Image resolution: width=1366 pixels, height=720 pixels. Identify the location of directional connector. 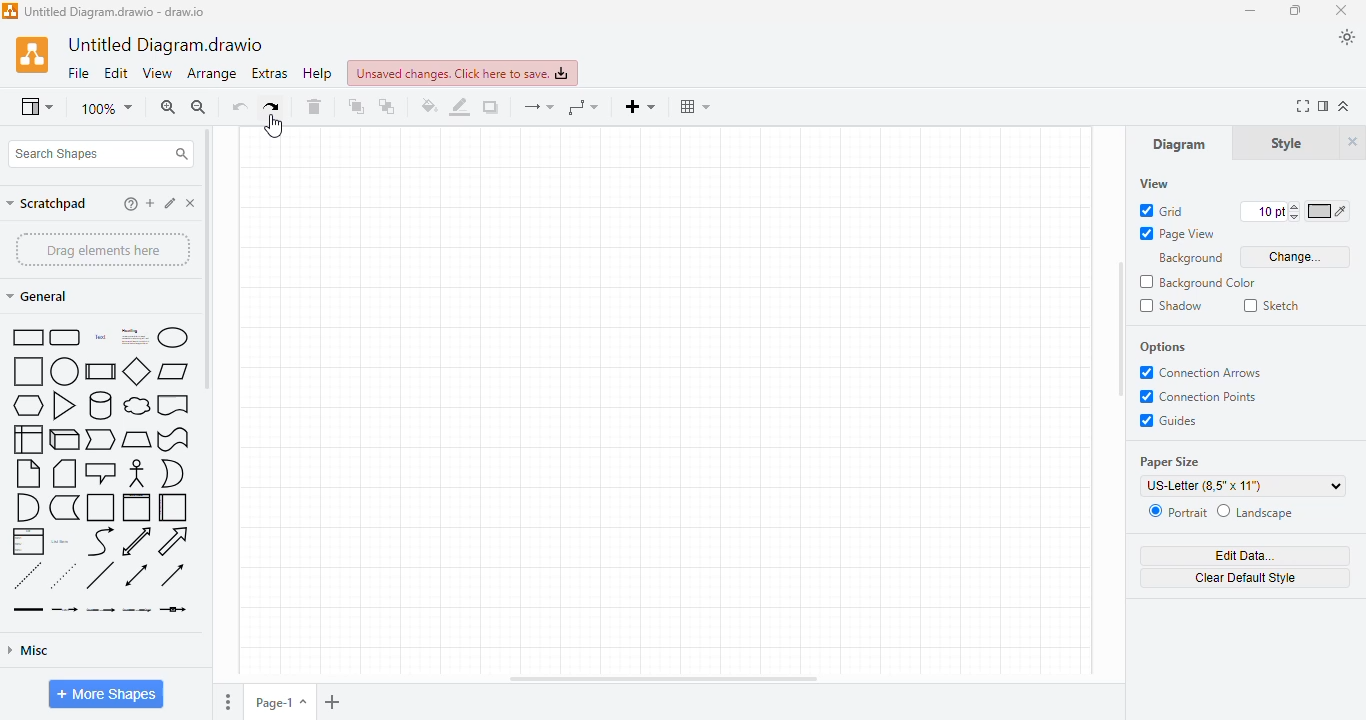
(172, 575).